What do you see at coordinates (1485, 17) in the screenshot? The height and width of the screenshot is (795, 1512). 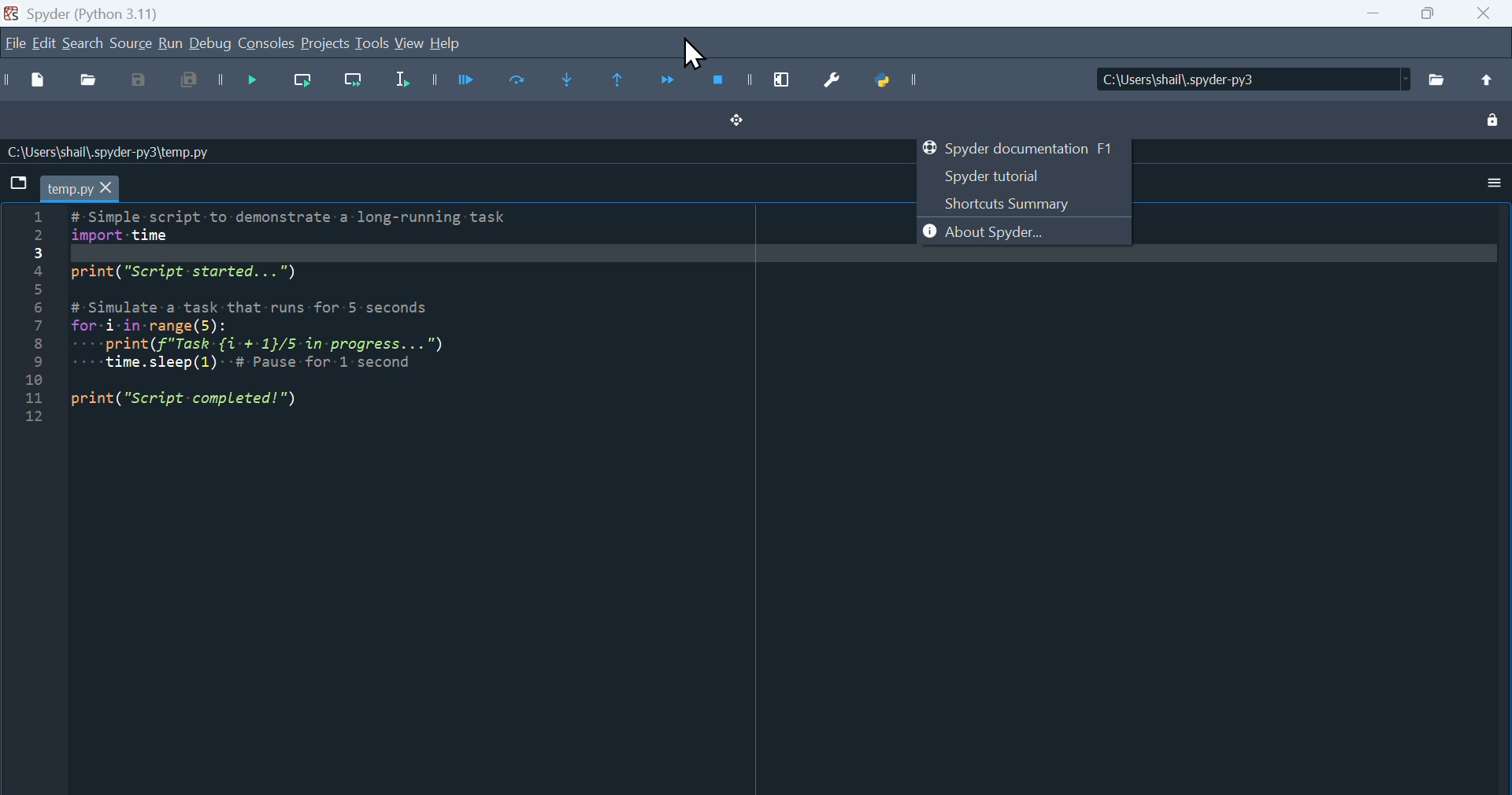 I see `` at bounding box center [1485, 17].